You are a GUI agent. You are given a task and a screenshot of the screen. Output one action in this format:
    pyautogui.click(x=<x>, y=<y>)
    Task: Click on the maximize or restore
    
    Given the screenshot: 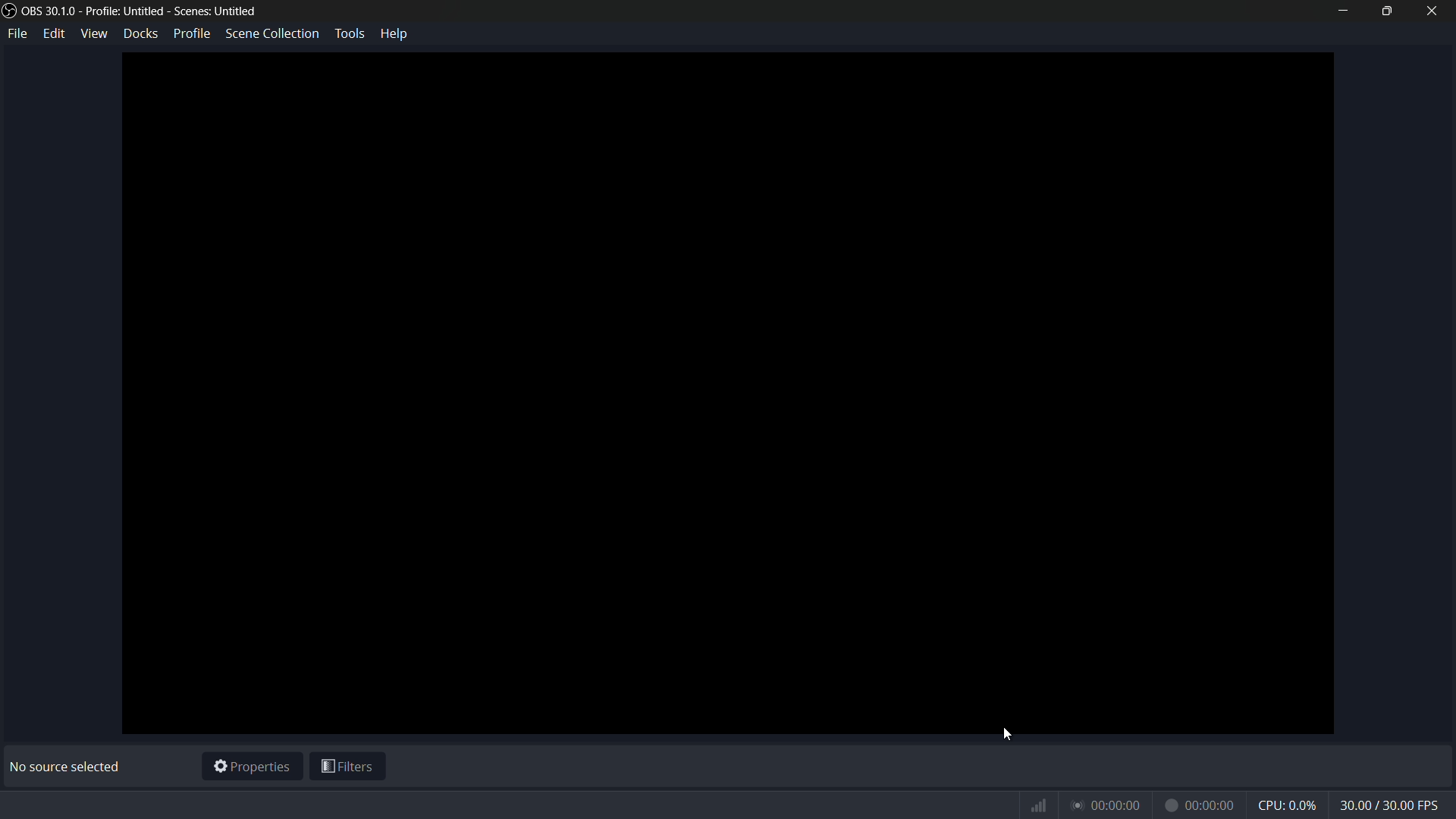 What is the action you would take?
    pyautogui.click(x=1385, y=11)
    